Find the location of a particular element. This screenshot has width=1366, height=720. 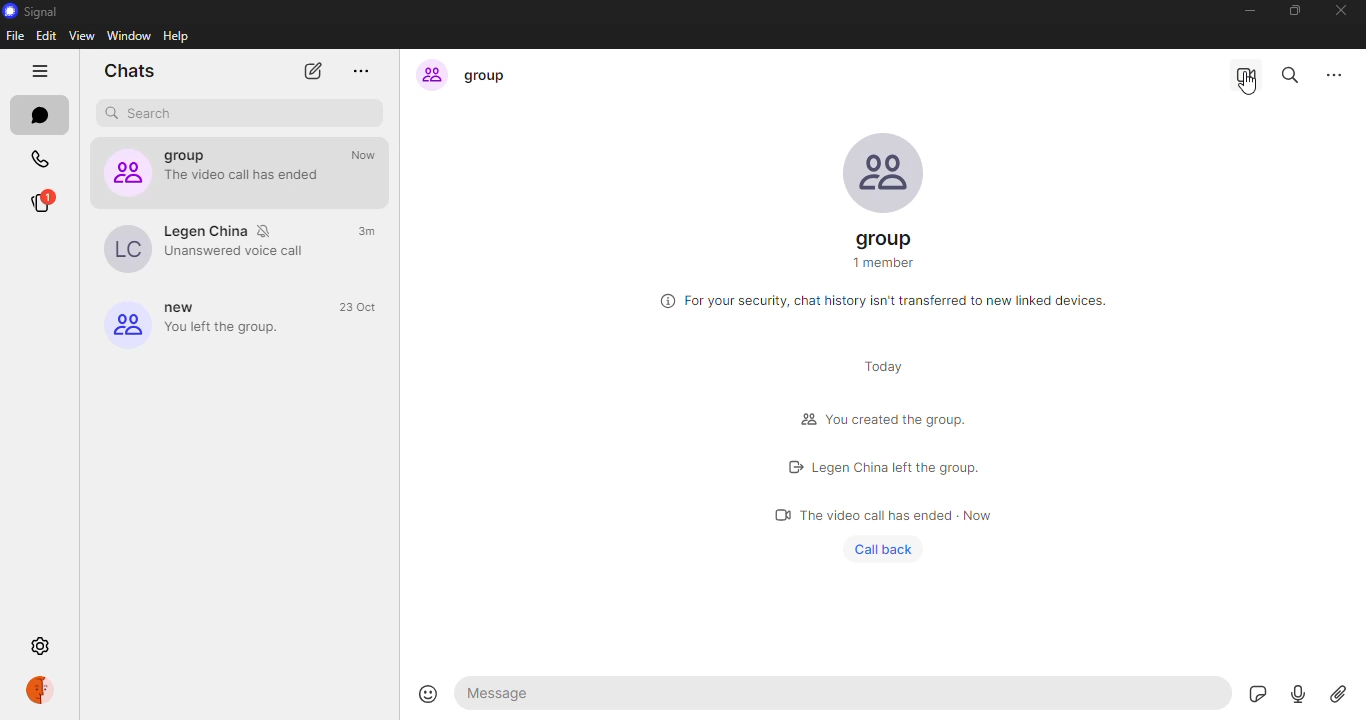

Legen China profile is located at coordinates (120, 248).